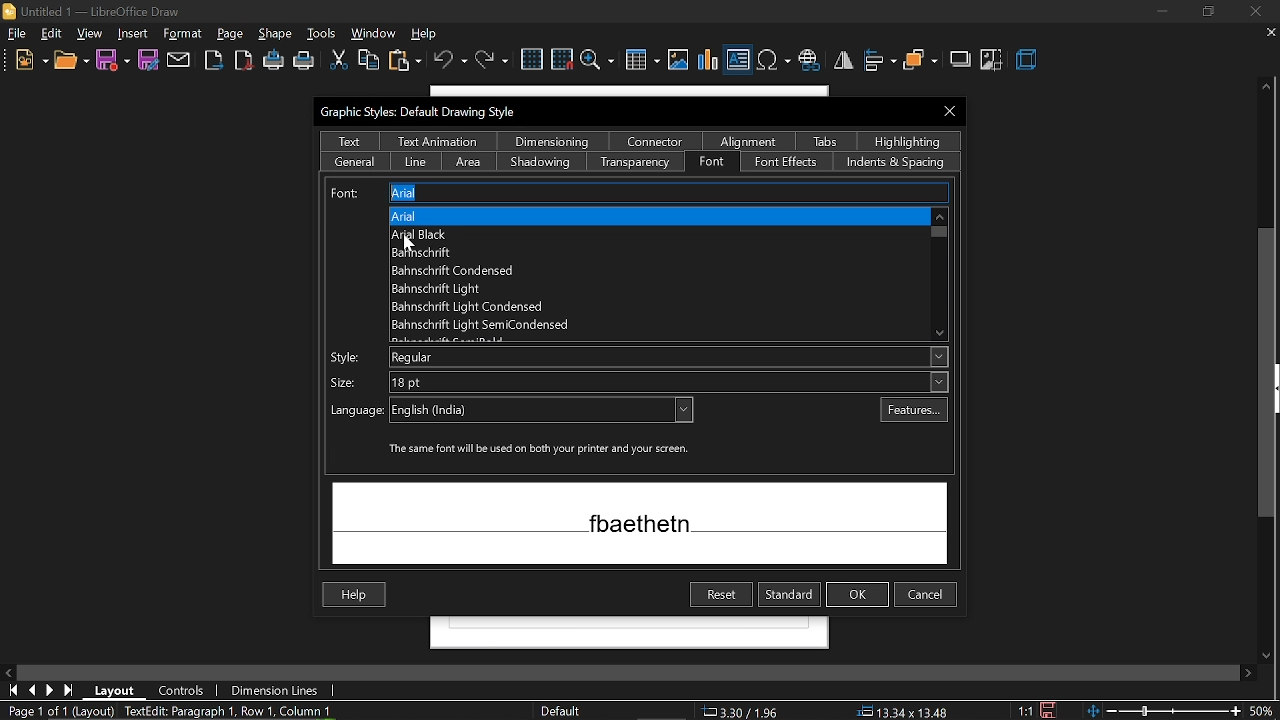 The width and height of the screenshot is (1280, 720). Describe the element at coordinates (404, 62) in the screenshot. I see `paste` at that location.